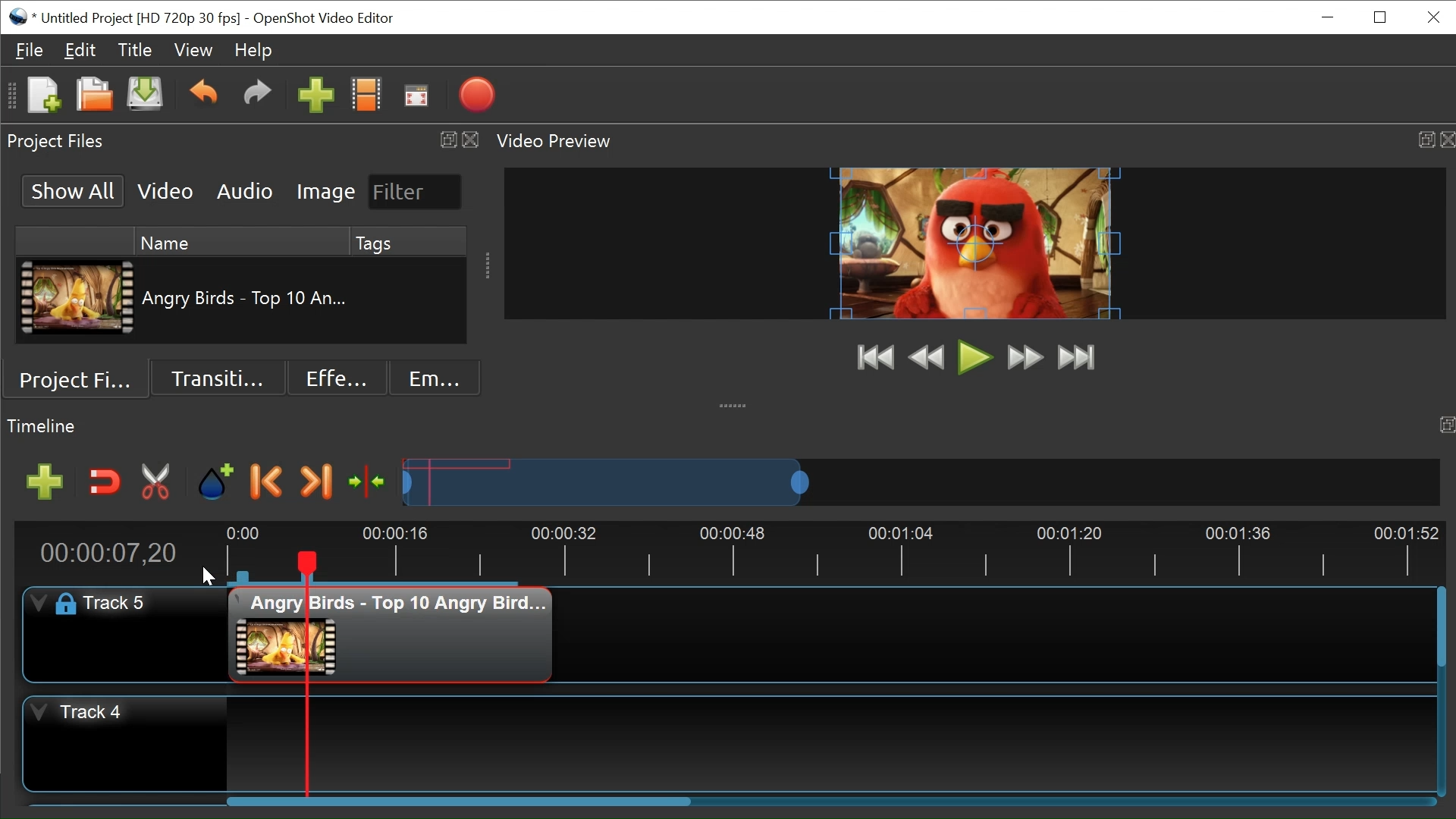 The height and width of the screenshot is (819, 1456). What do you see at coordinates (236, 242) in the screenshot?
I see `Name` at bounding box center [236, 242].